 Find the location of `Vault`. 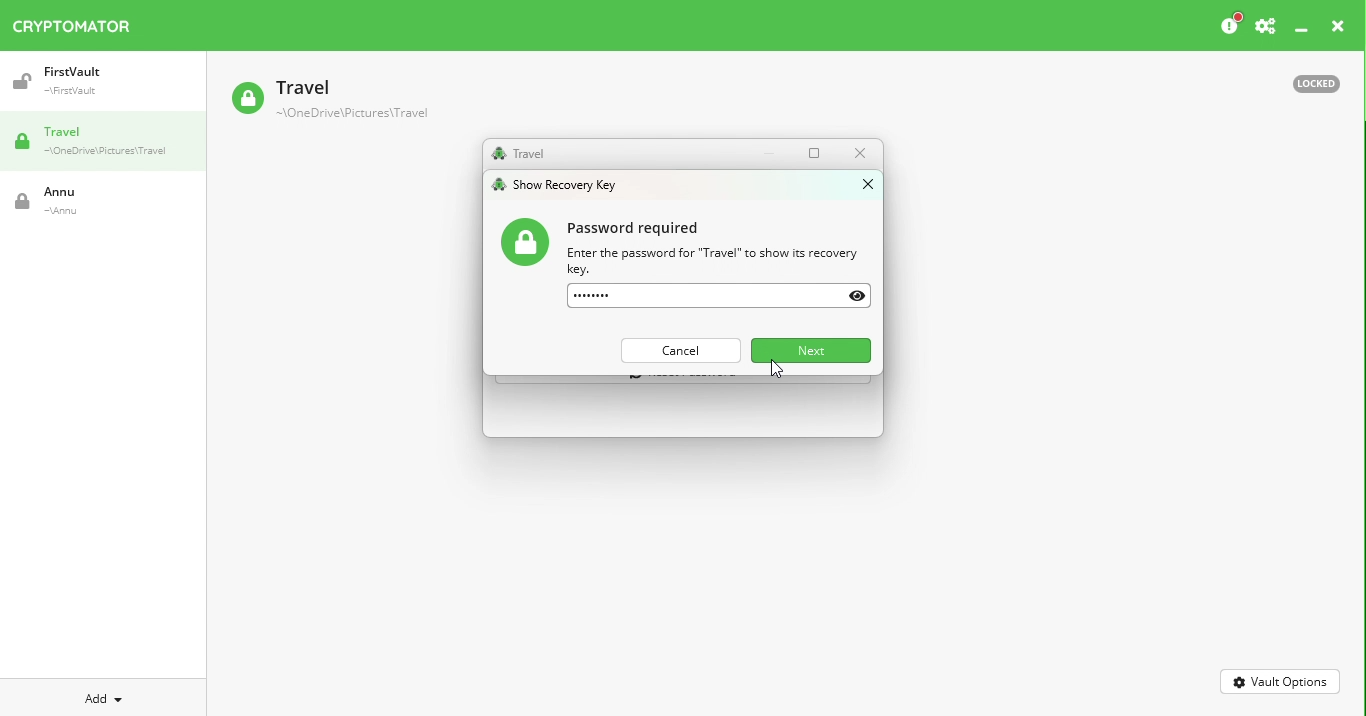

Vault is located at coordinates (329, 101).